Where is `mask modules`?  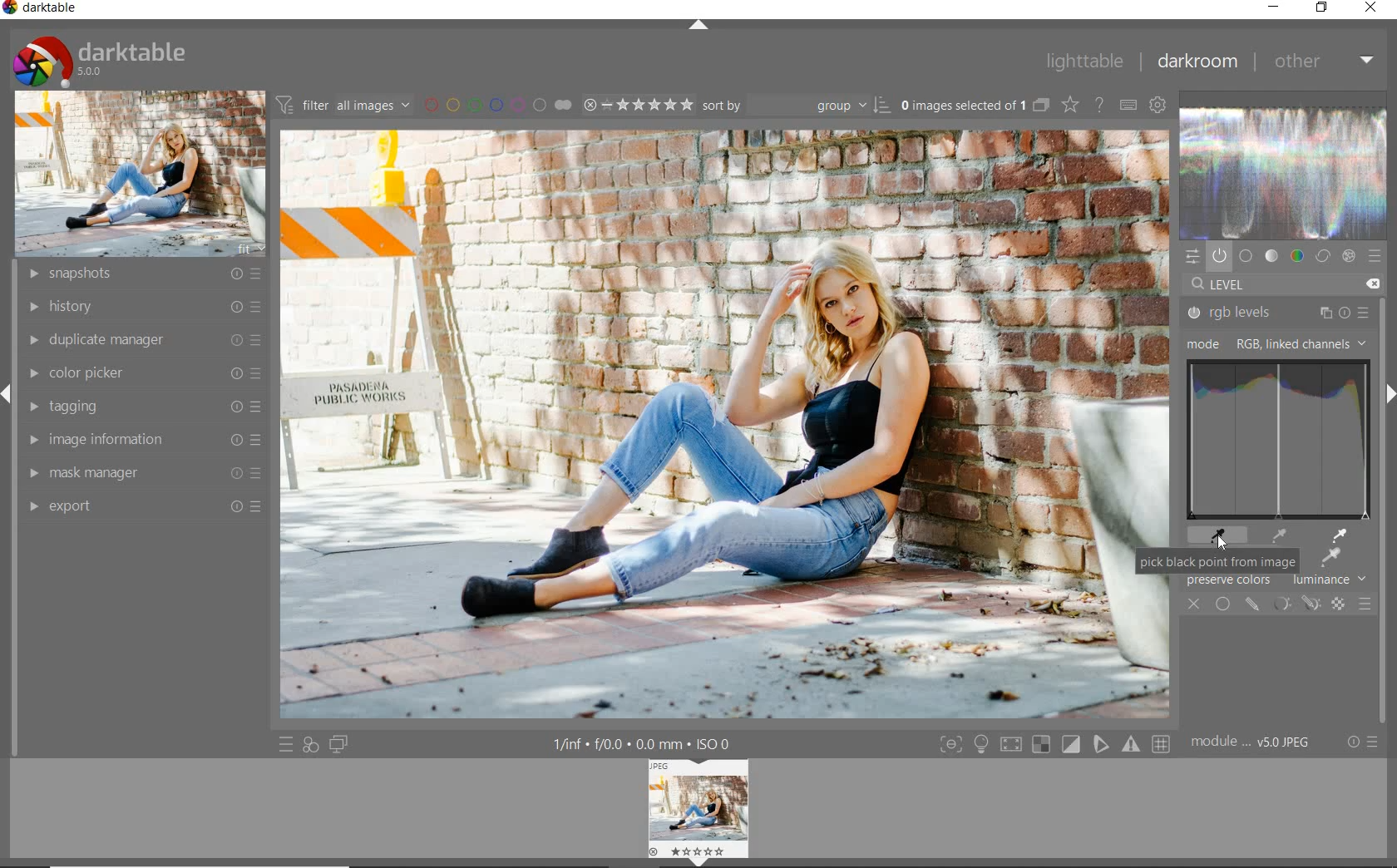
mask modules is located at coordinates (1293, 604).